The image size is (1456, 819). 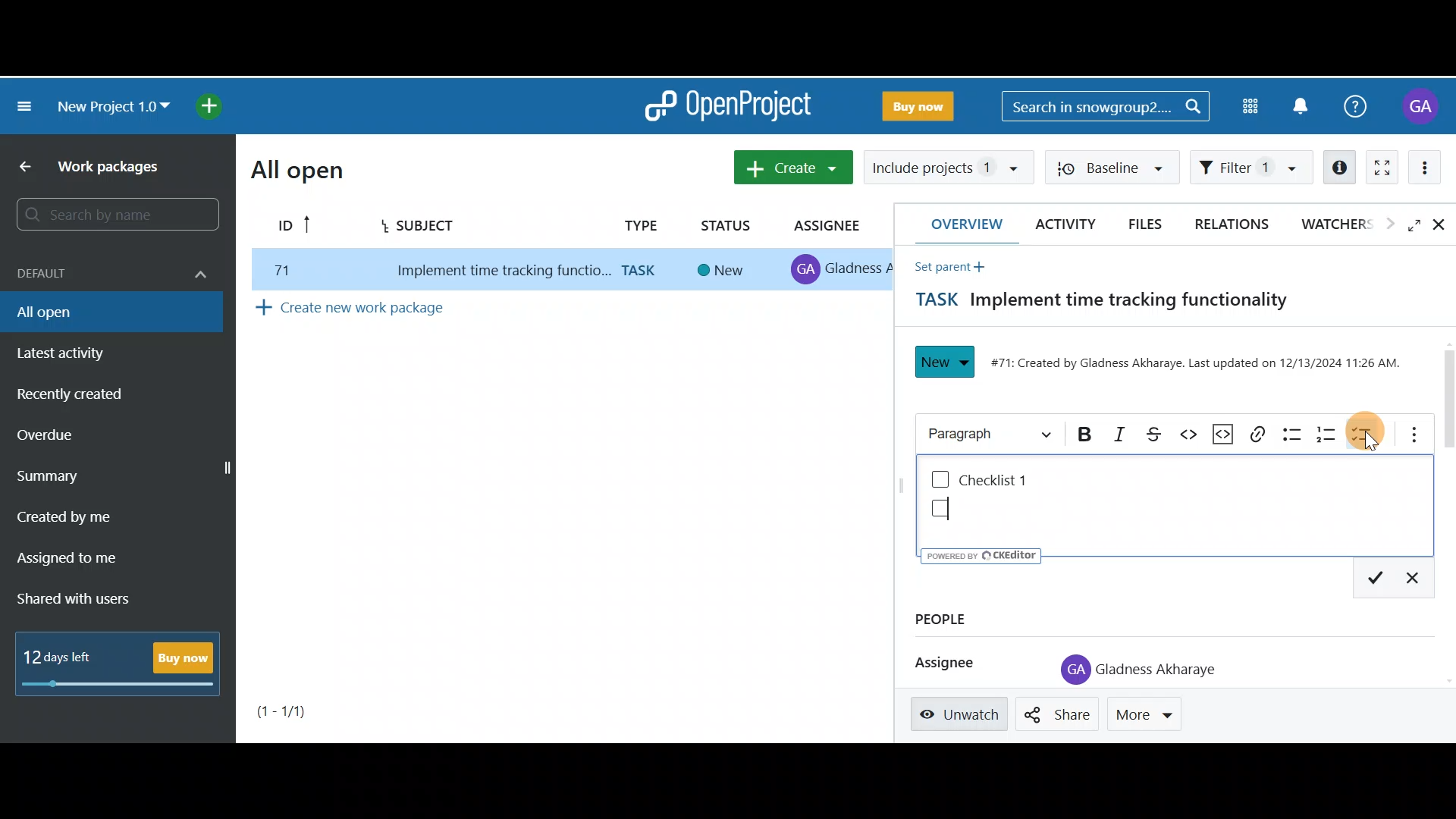 I want to click on Search bar, so click(x=1109, y=104).